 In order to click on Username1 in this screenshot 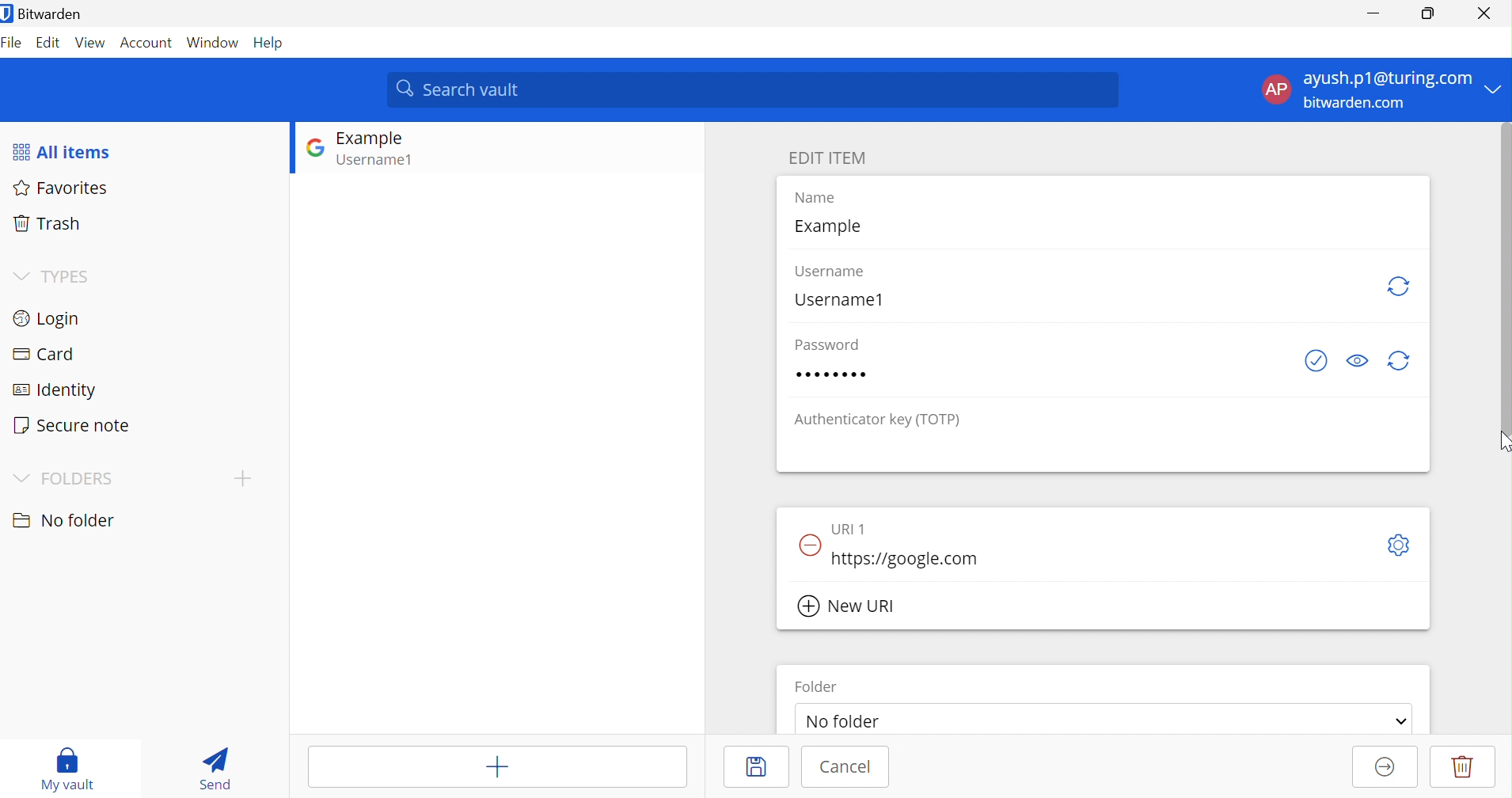, I will do `click(846, 301)`.